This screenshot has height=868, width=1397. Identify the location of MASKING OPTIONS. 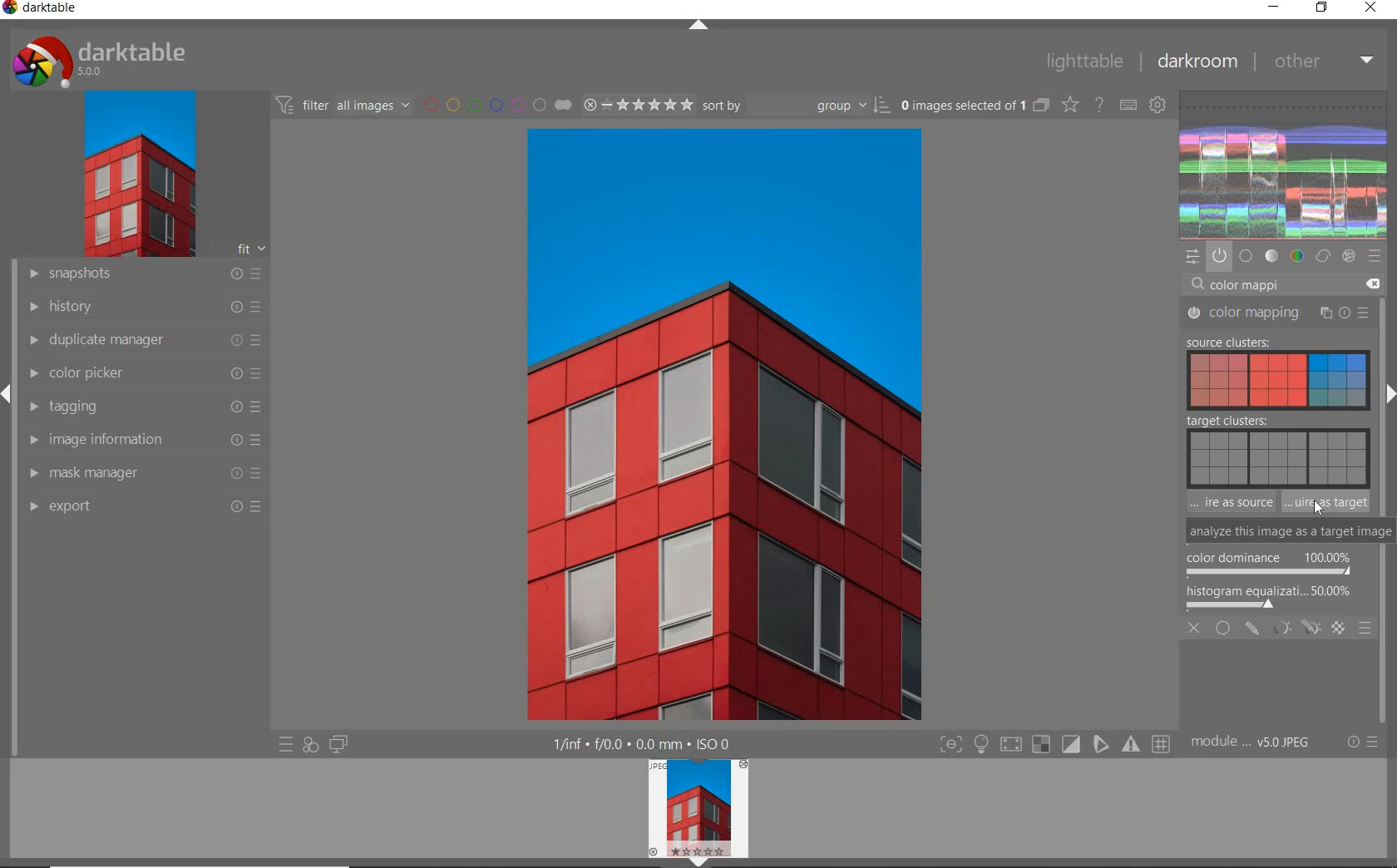
(1293, 629).